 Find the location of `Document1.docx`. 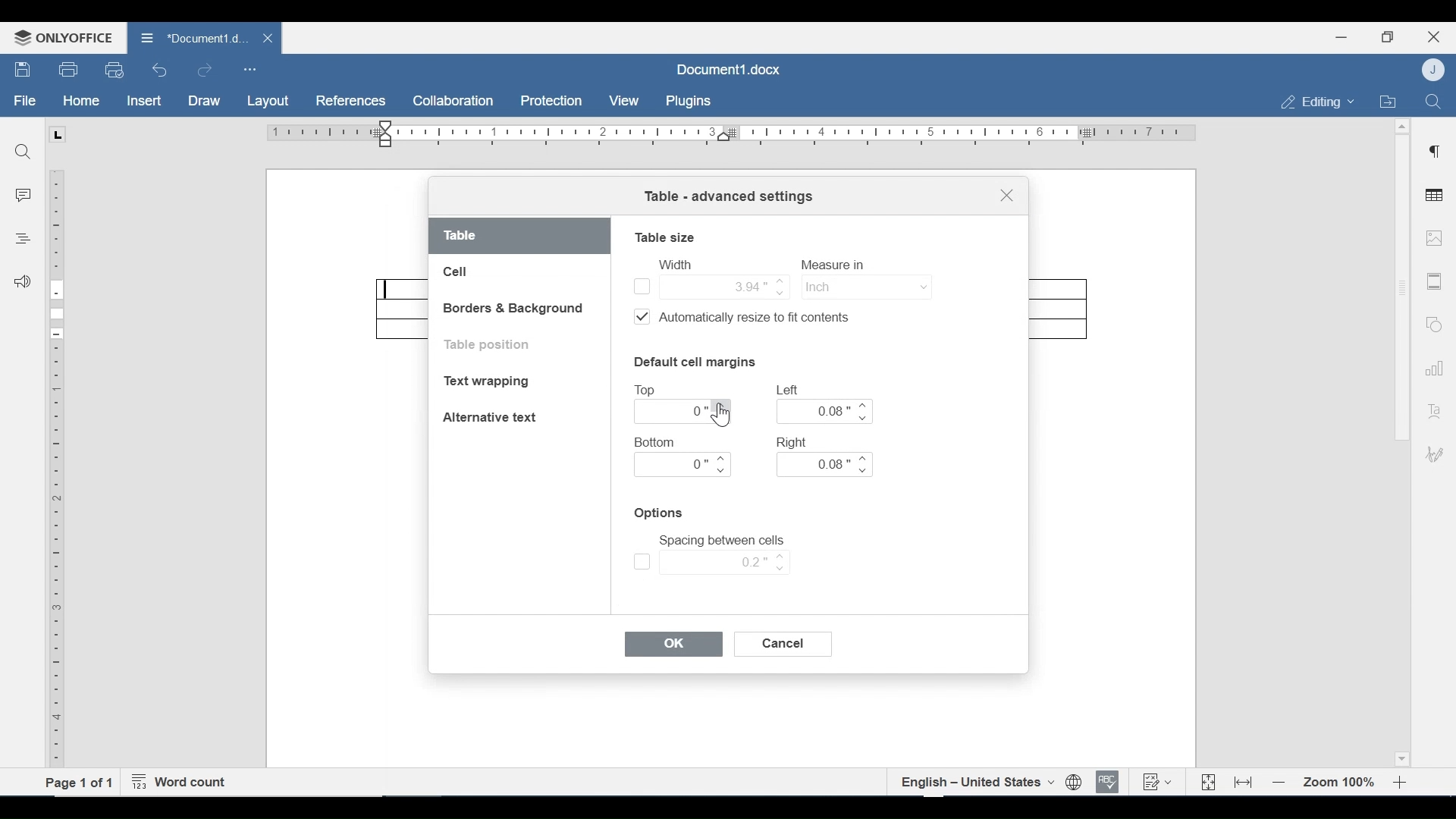

Document1.docx is located at coordinates (730, 67).